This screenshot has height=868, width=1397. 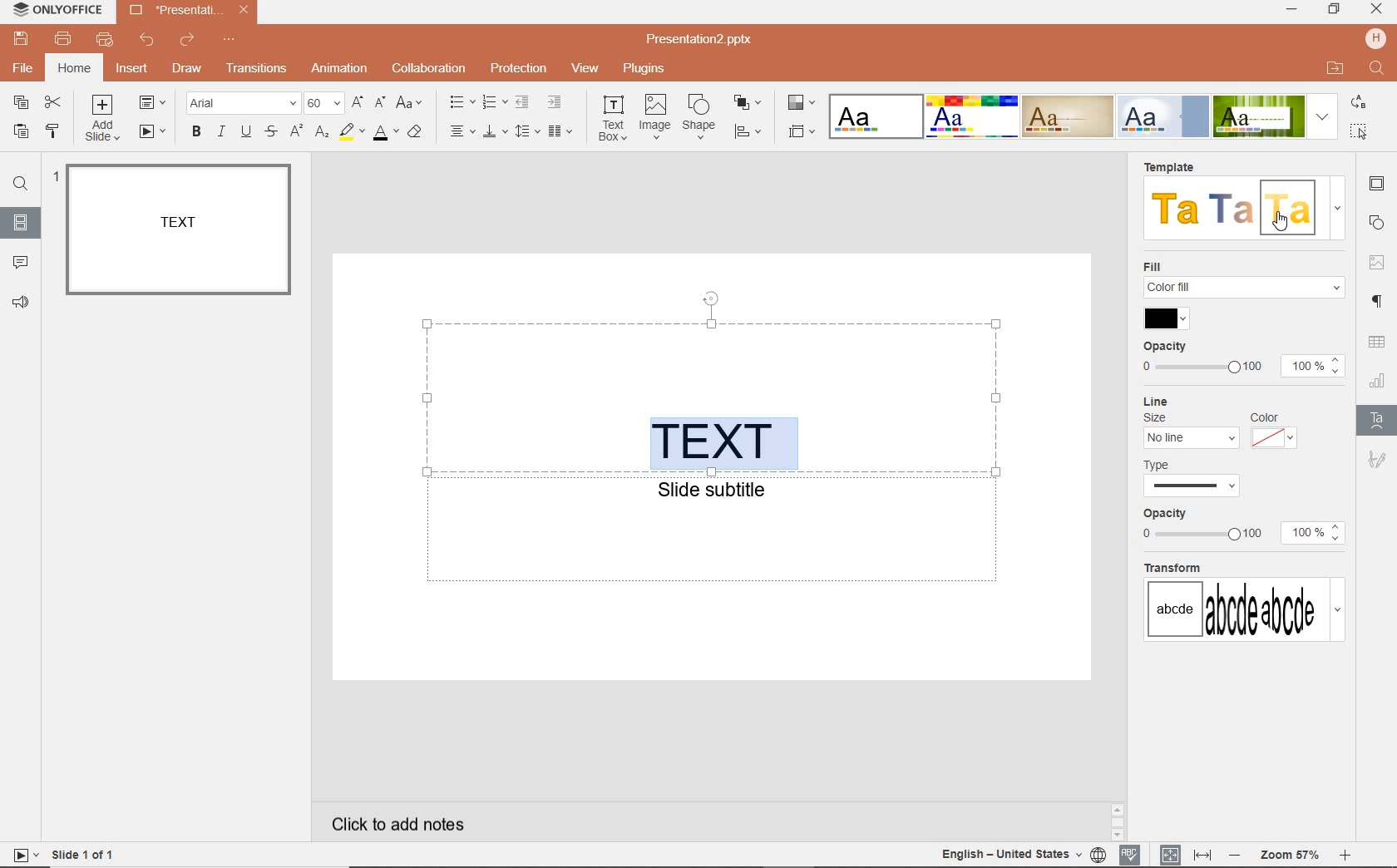 I want to click on FONT COLOR, so click(x=384, y=133).